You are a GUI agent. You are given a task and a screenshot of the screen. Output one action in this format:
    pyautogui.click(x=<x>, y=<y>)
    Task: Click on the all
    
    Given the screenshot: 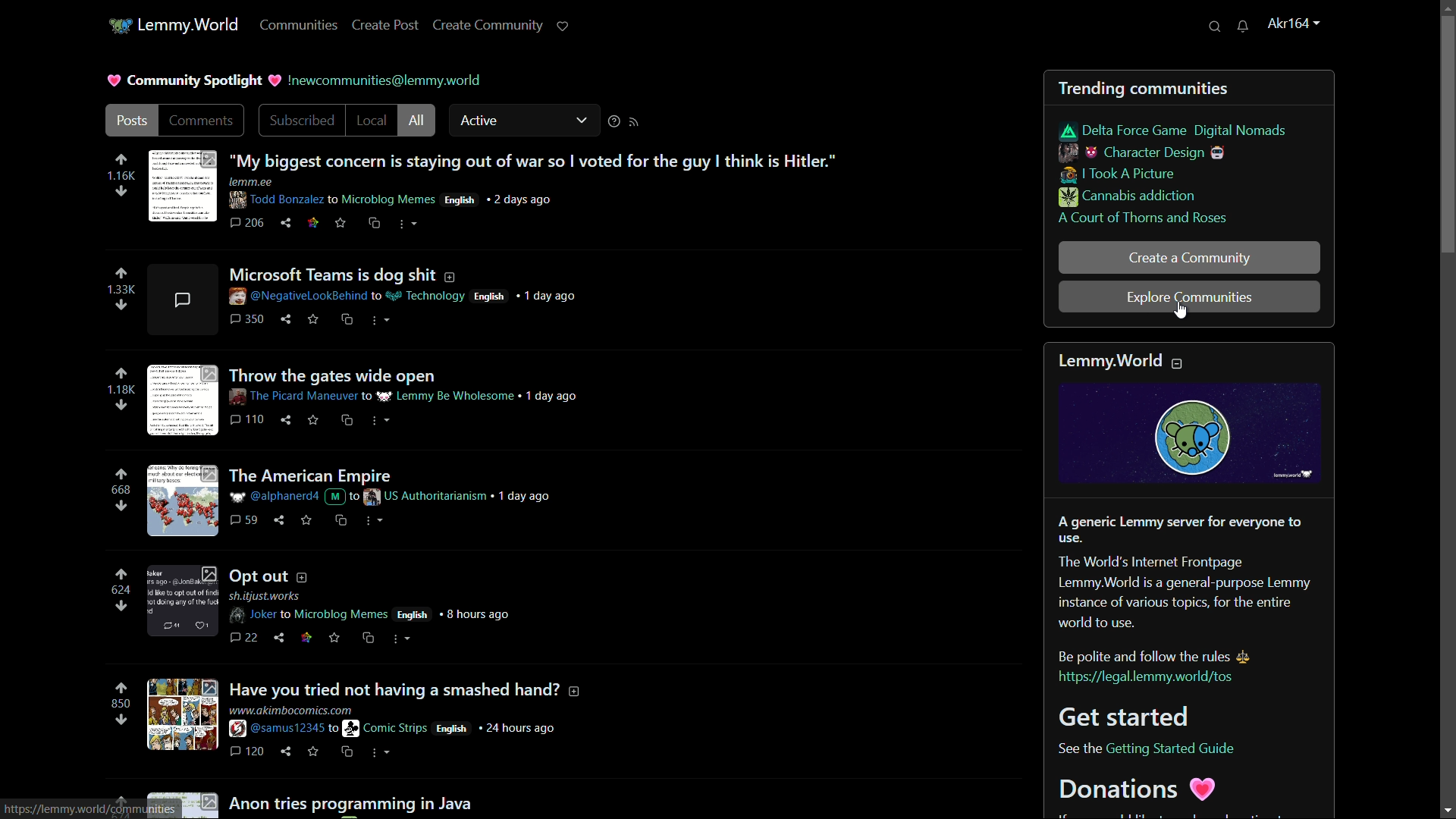 What is the action you would take?
    pyautogui.click(x=416, y=121)
    